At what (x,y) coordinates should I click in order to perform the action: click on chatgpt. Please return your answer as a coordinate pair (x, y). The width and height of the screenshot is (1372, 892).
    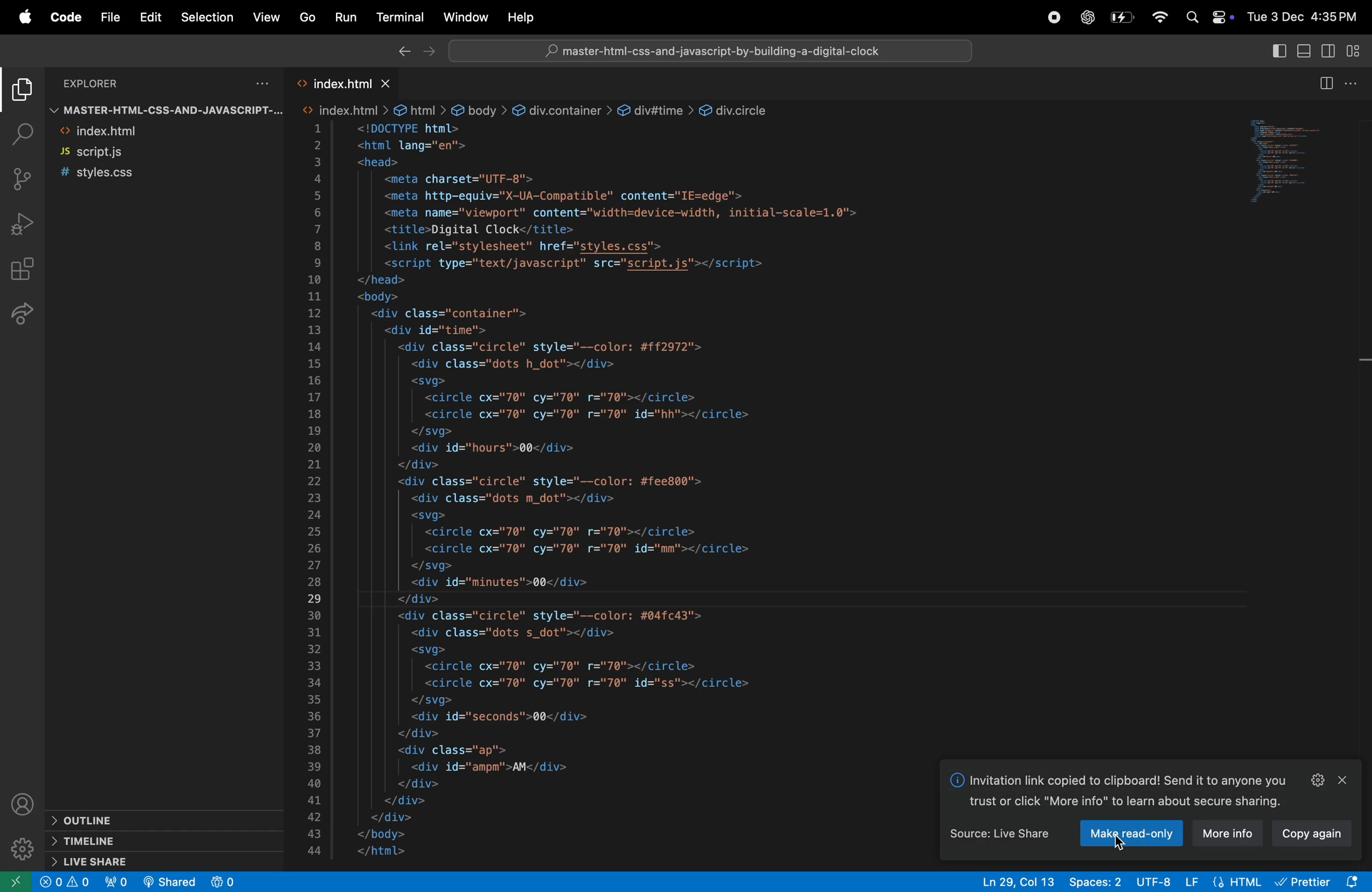
    Looking at the image, I should click on (1084, 17).